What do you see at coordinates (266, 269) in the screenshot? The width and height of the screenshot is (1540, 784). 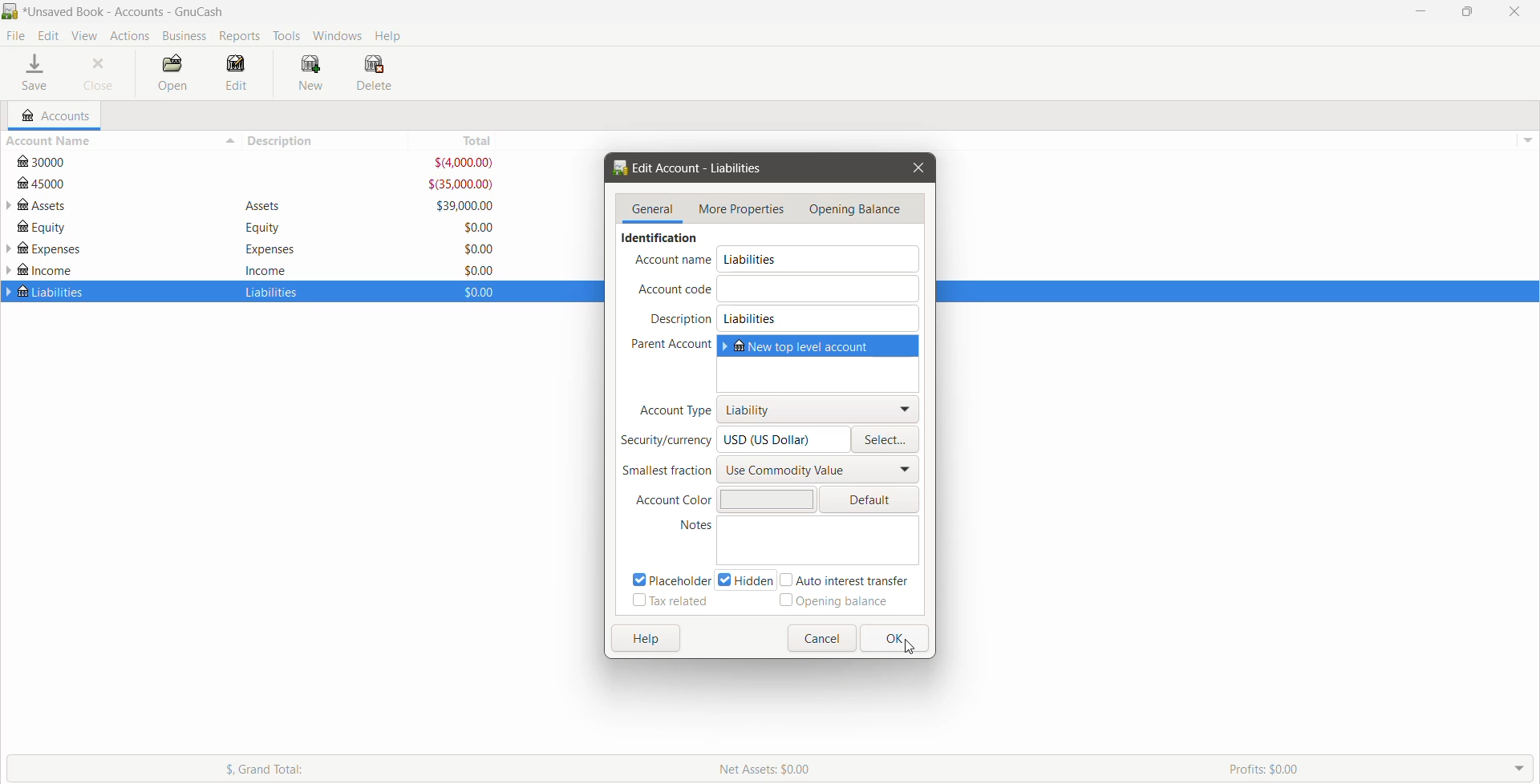 I see `details of the account "Income"` at bounding box center [266, 269].